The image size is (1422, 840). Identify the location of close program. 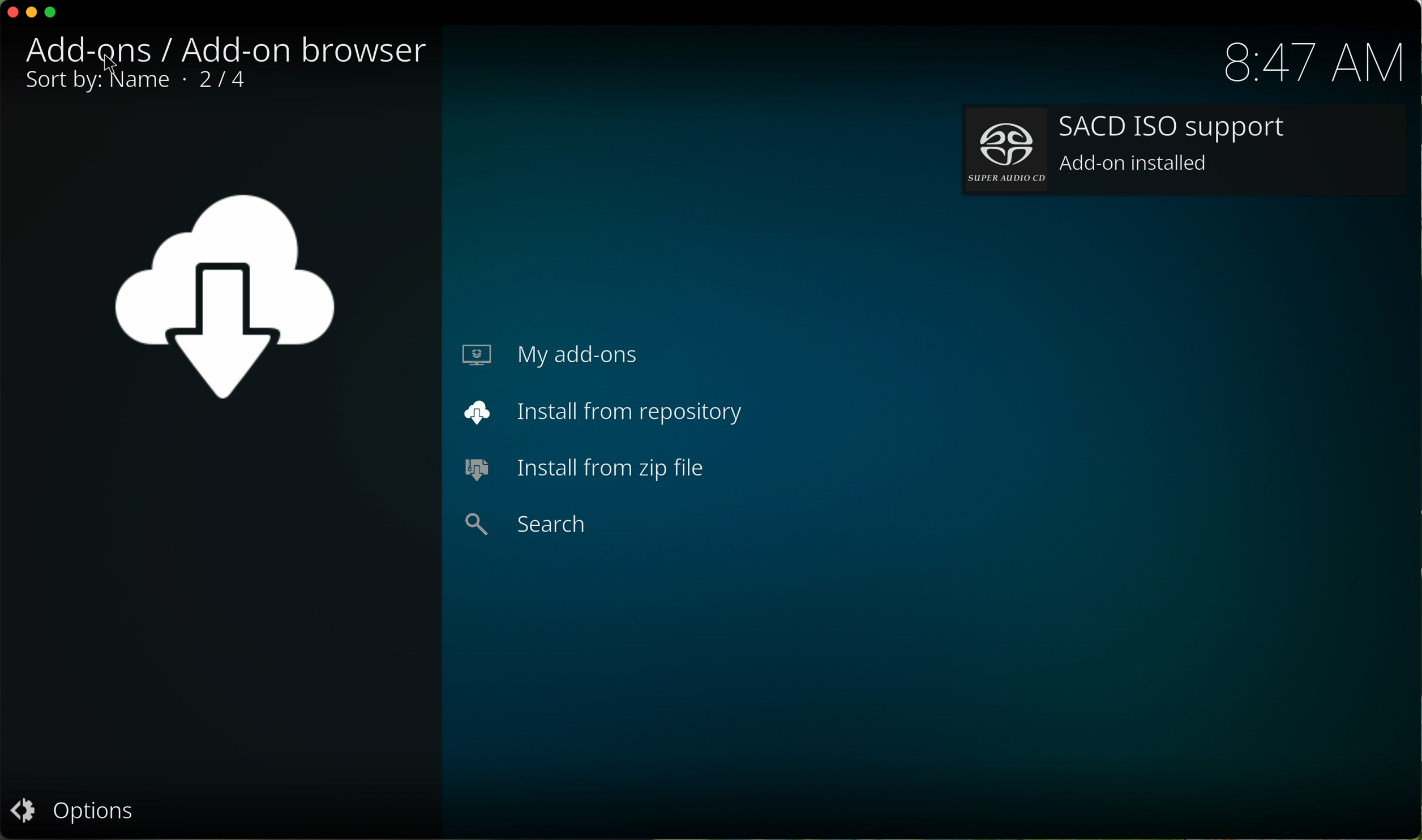
(11, 13).